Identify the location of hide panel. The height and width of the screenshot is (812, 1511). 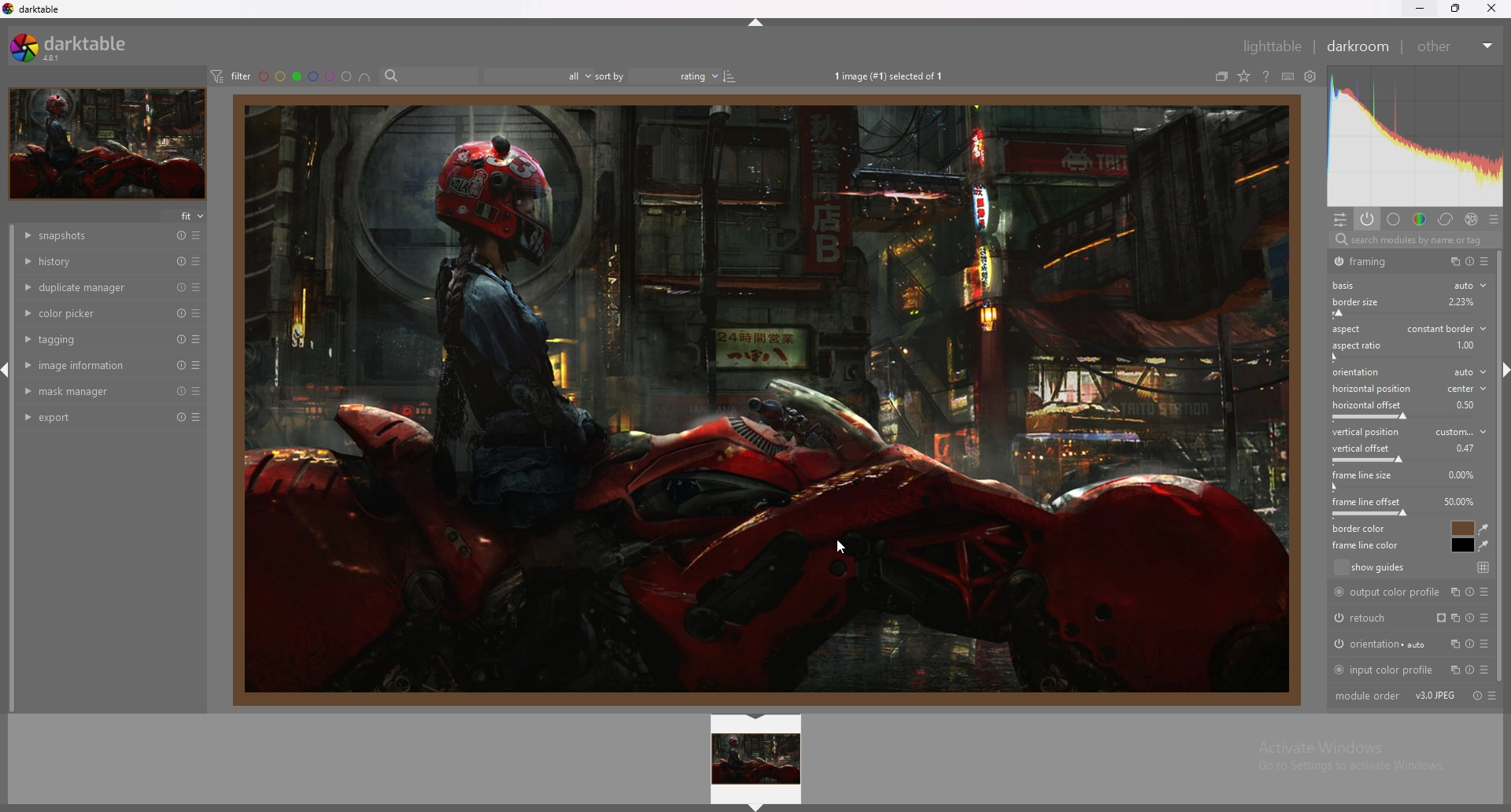
(759, 22).